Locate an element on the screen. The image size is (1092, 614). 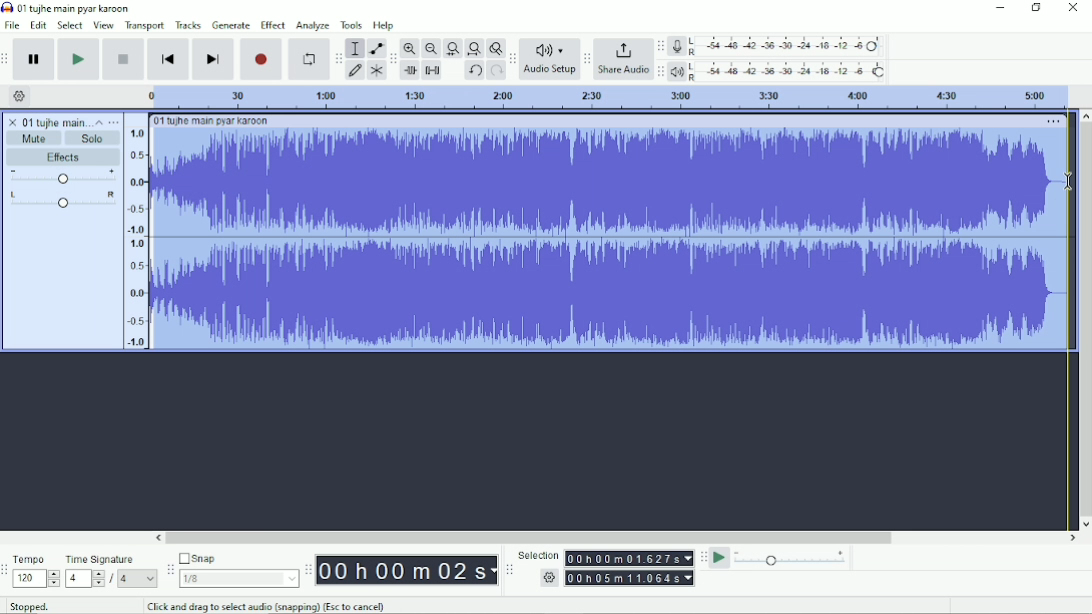
00 h 00 m 00.00s is located at coordinates (630, 578).